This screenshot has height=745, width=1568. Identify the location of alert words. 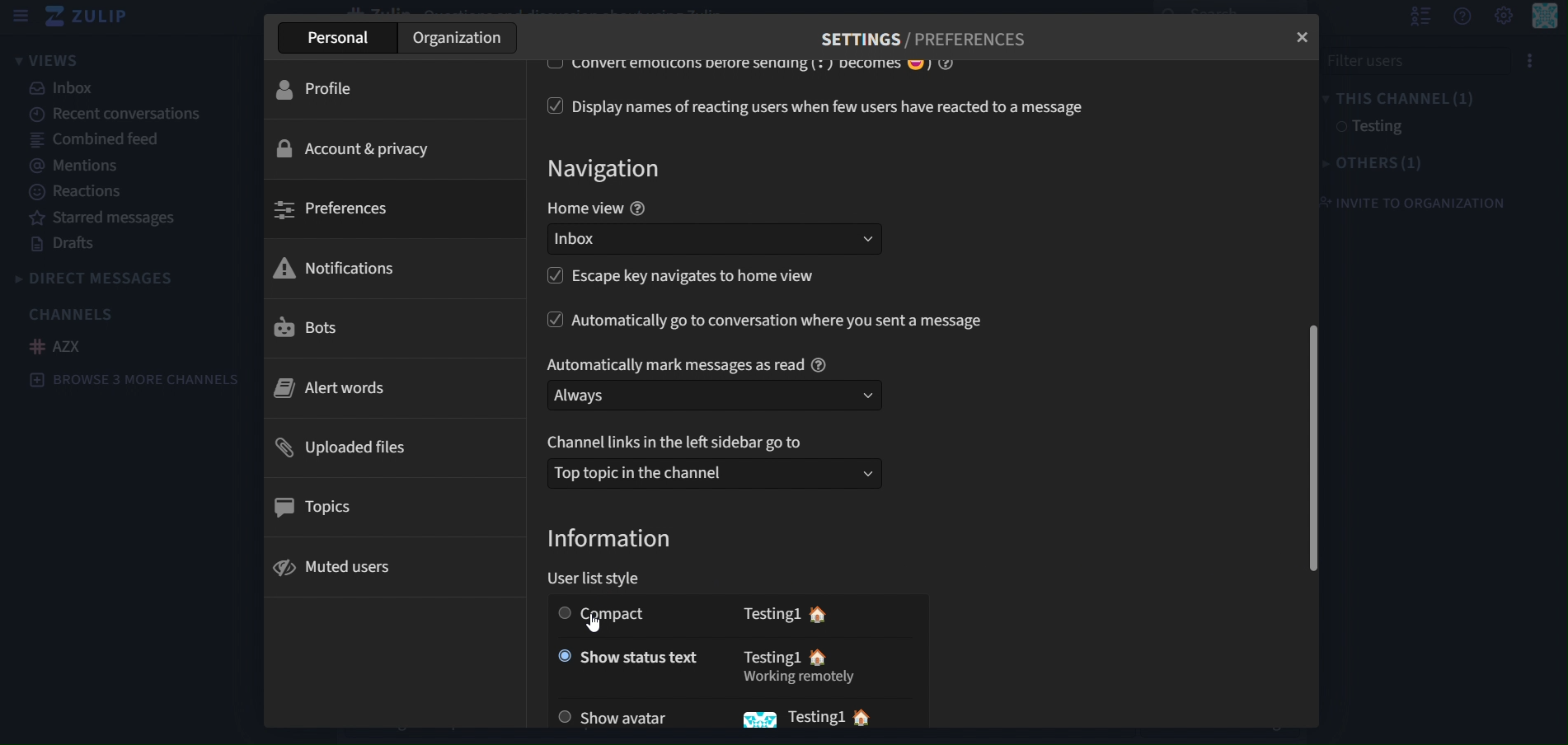
(336, 387).